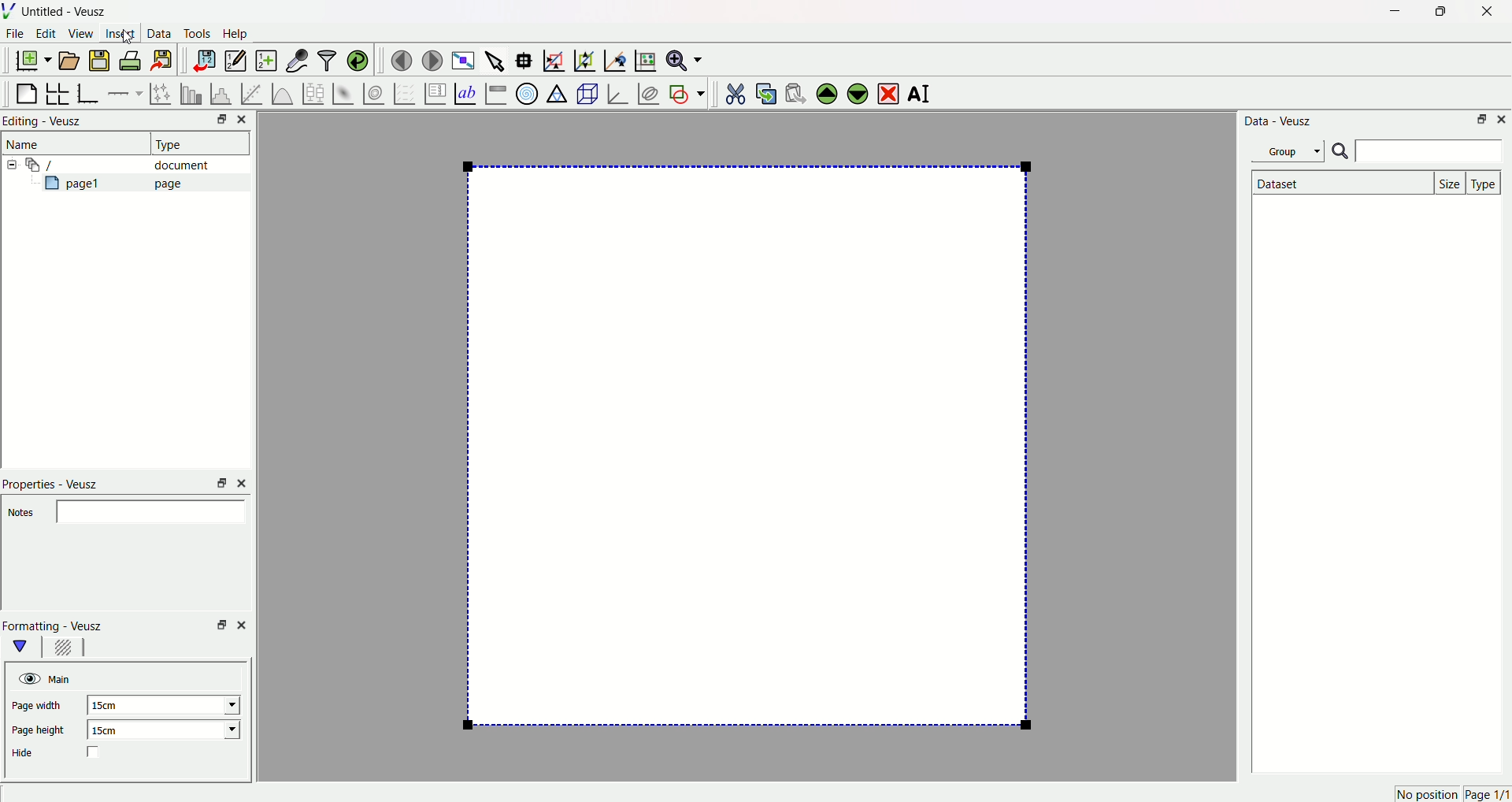  What do you see at coordinates (313, 91) in the screenshot?
I see `plot box plots` at bounding box center [313, 91].